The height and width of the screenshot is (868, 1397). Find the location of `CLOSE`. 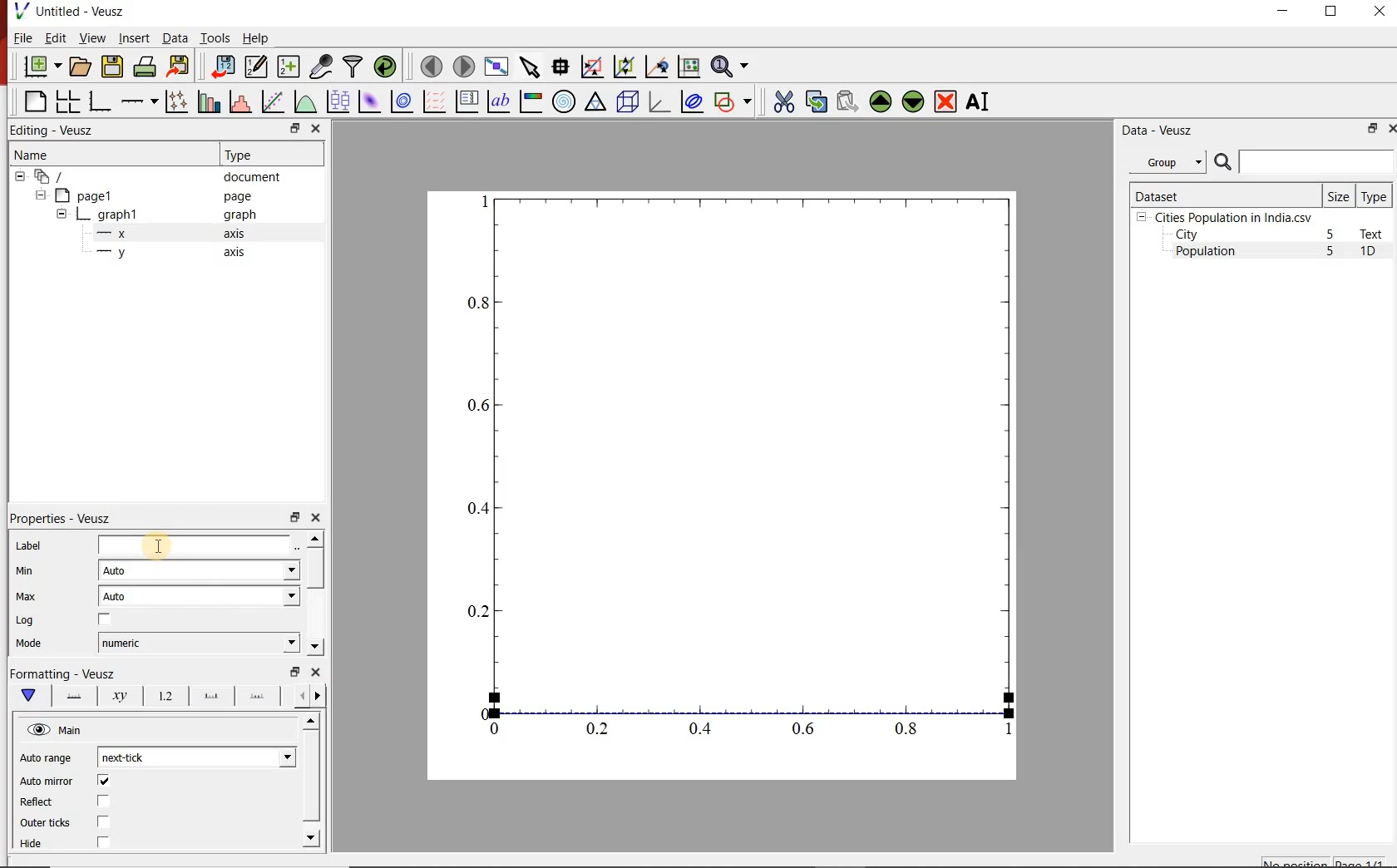

CLOSE is located at coordinates (1378, 13).